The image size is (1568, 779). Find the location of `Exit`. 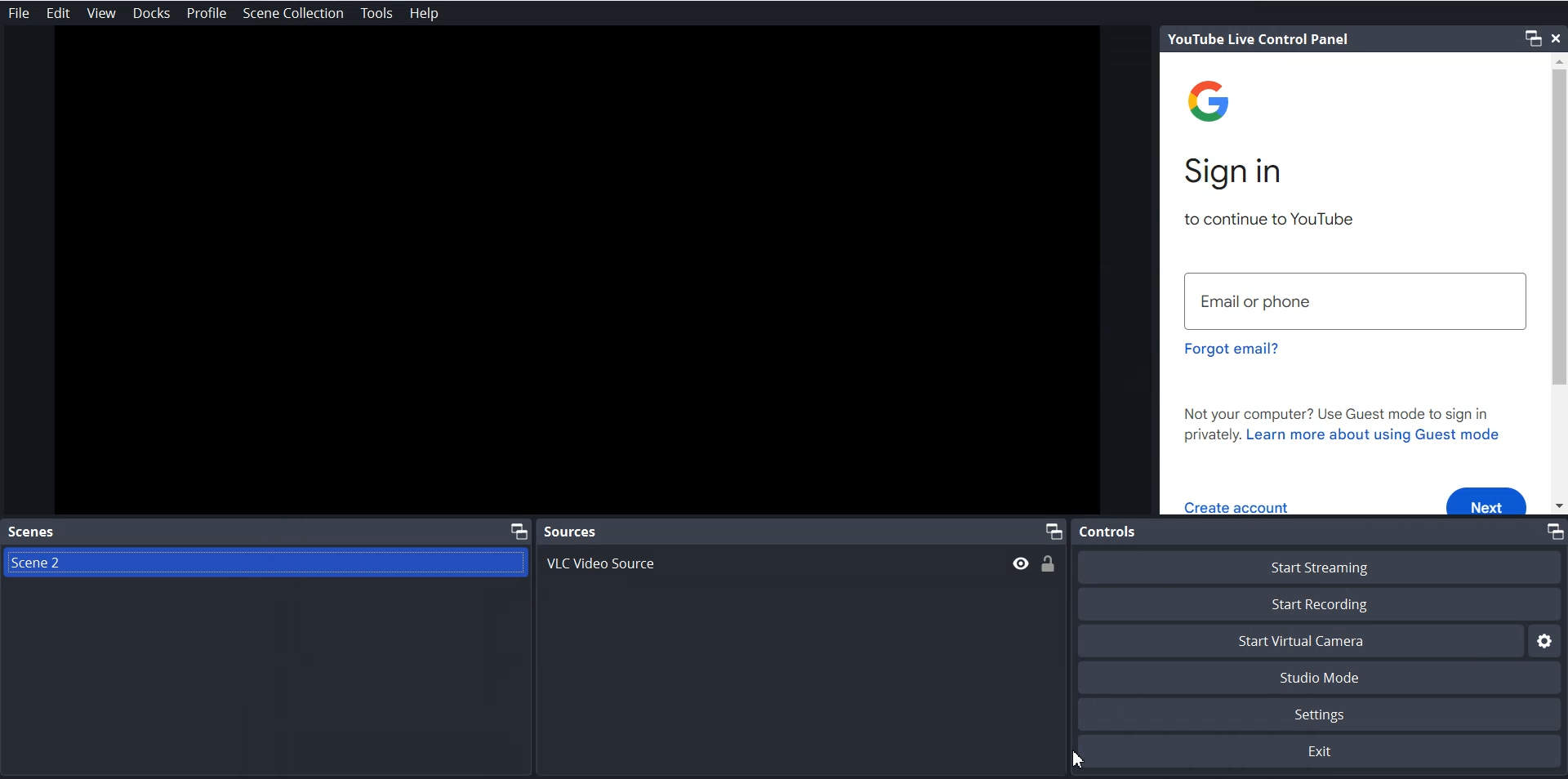

Exit is located at coordinates (1322, 752).